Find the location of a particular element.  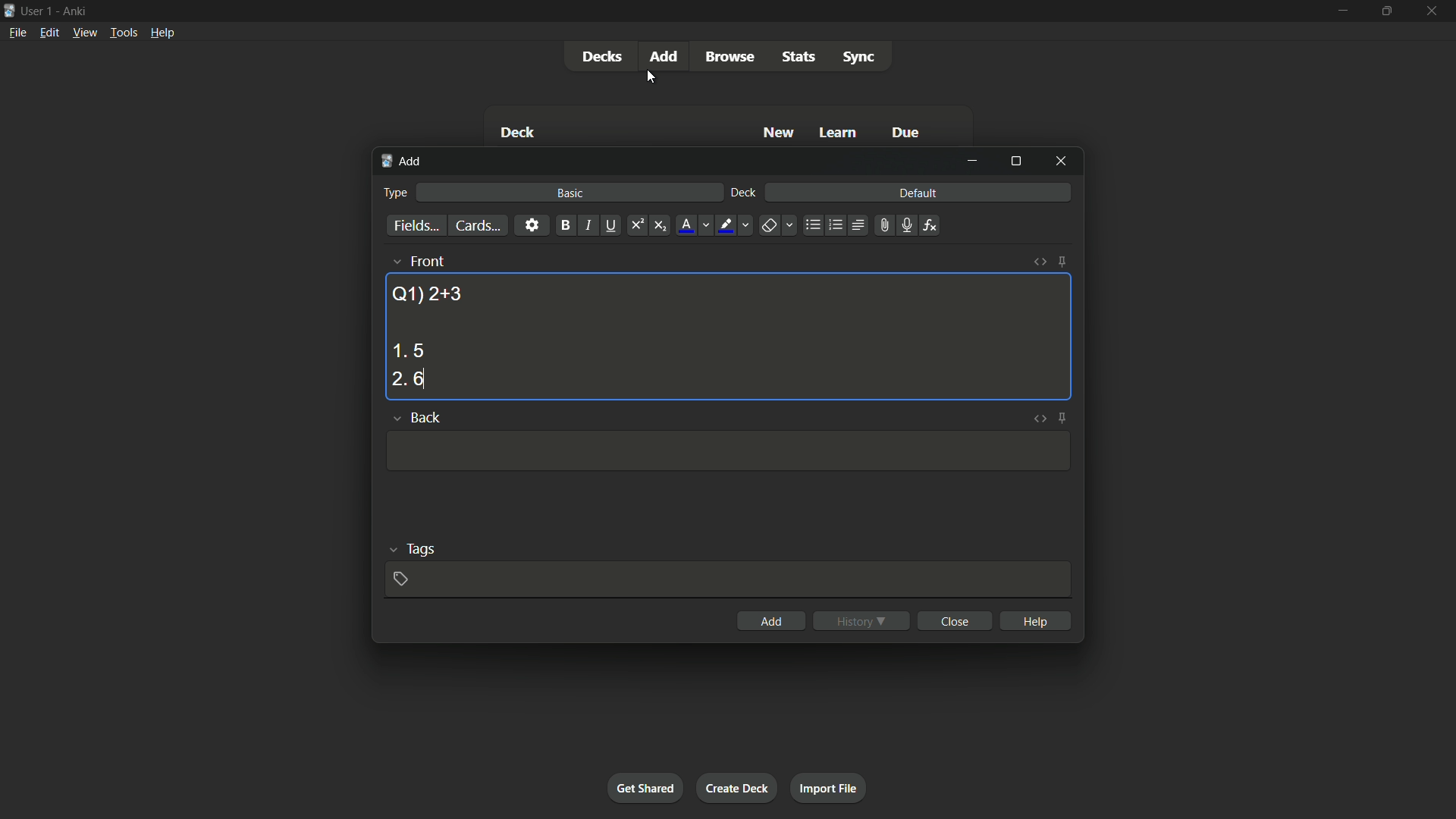

question is located at coordinates (427, 293).